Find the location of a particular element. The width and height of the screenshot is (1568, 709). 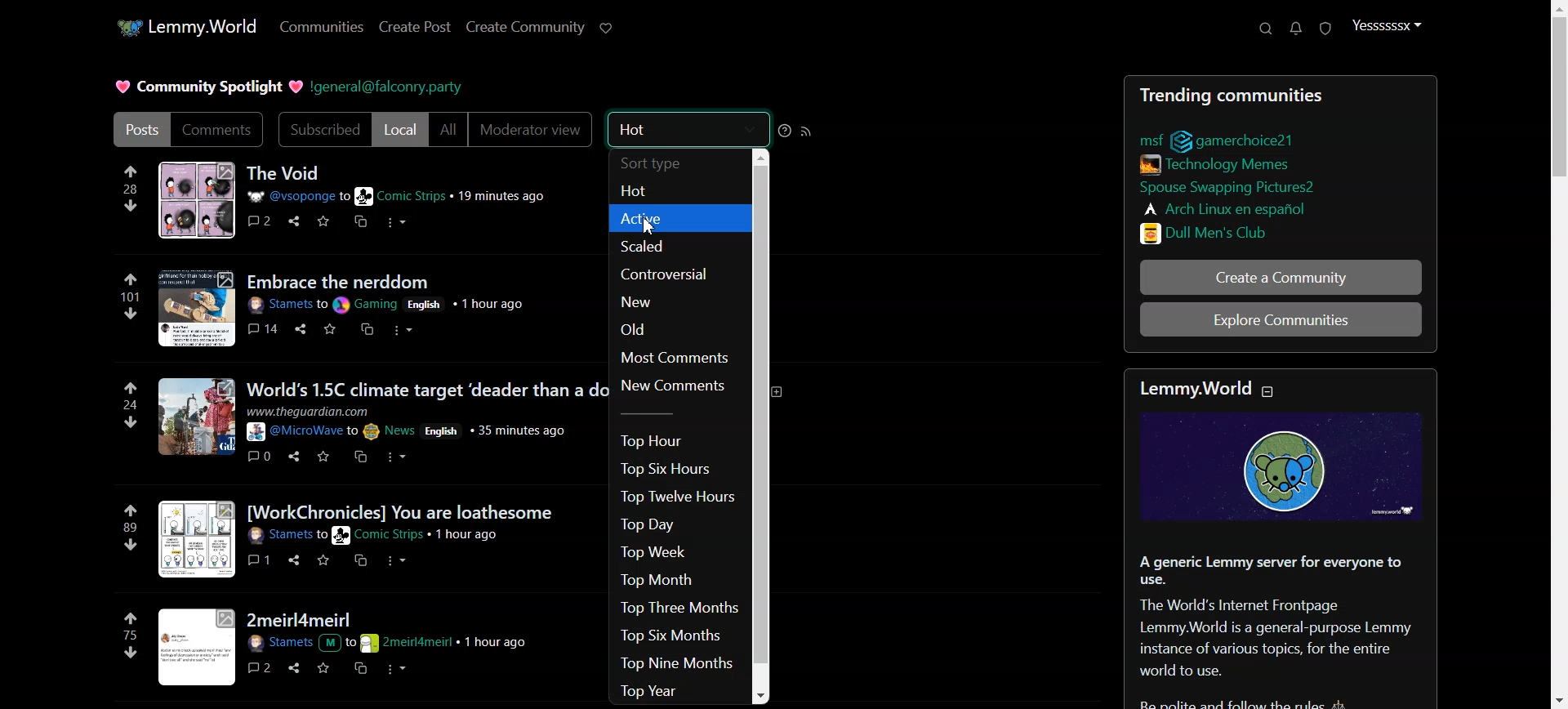

cross post is located at coordinates (367, 328).